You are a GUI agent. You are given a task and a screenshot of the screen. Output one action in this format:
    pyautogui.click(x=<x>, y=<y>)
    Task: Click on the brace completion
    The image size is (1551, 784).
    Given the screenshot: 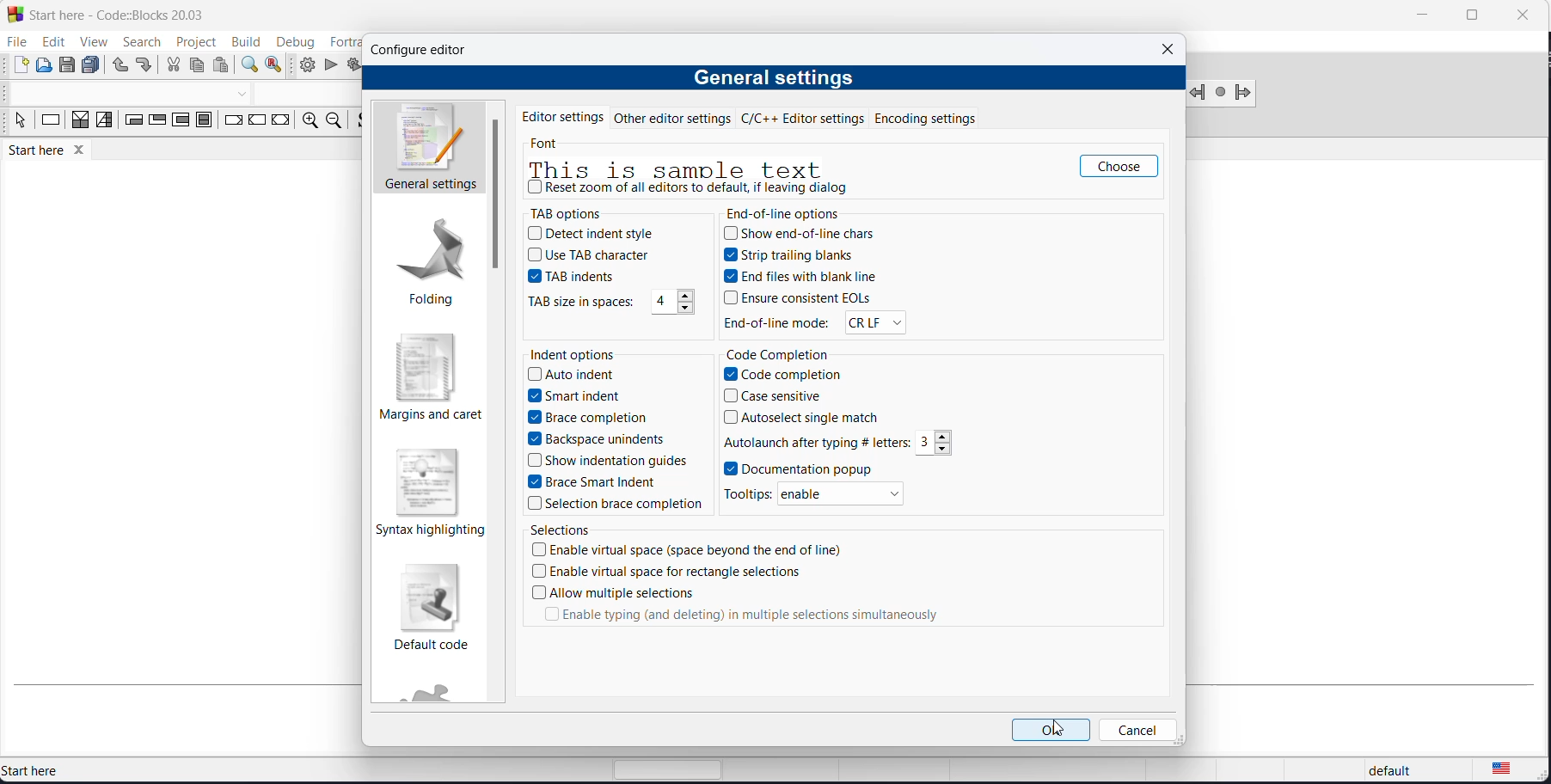 What is the action you would take?
    pyautogui.click(x=580, y=419)
    